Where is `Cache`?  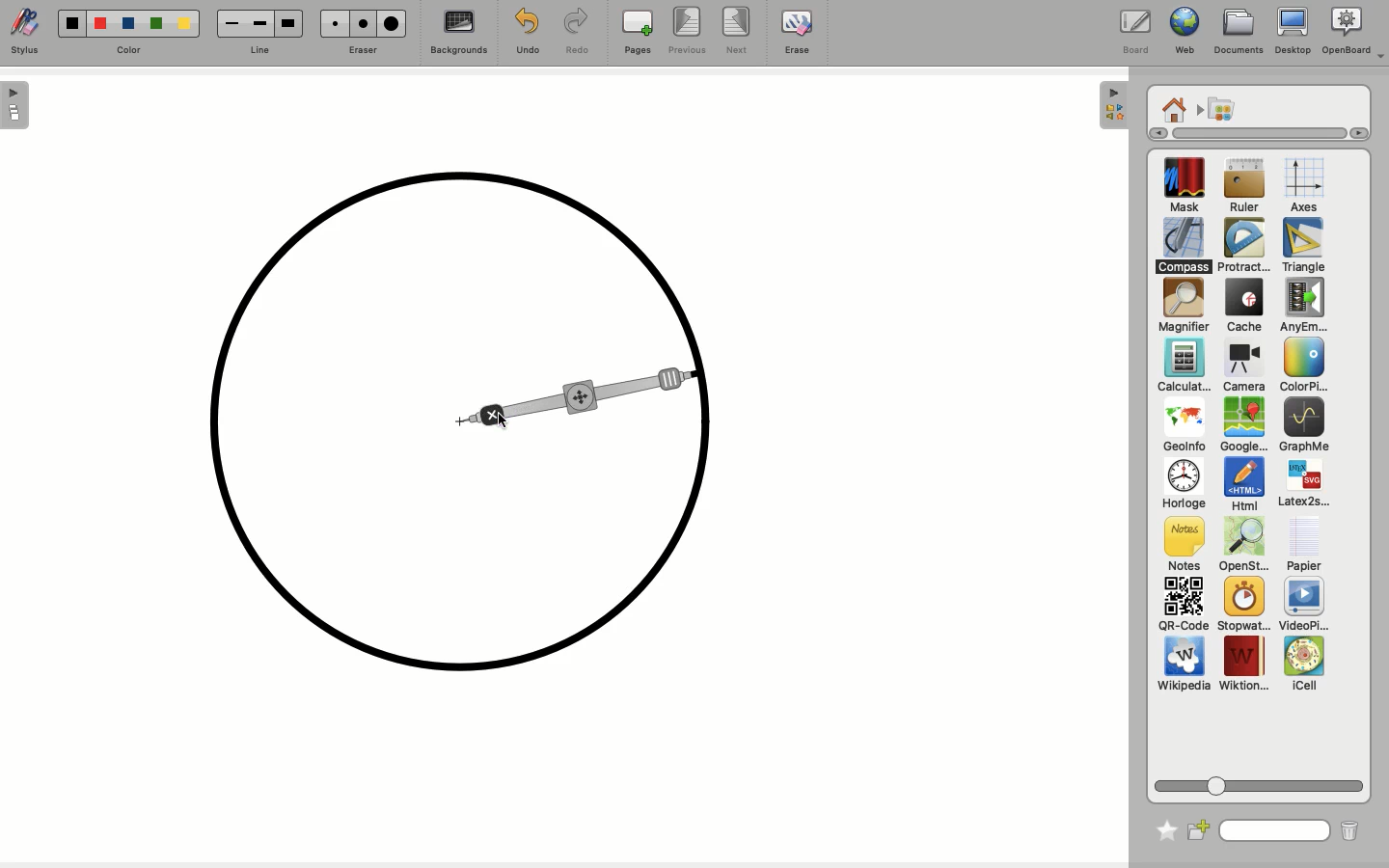 Cache is located at coordinates (1241, 308).